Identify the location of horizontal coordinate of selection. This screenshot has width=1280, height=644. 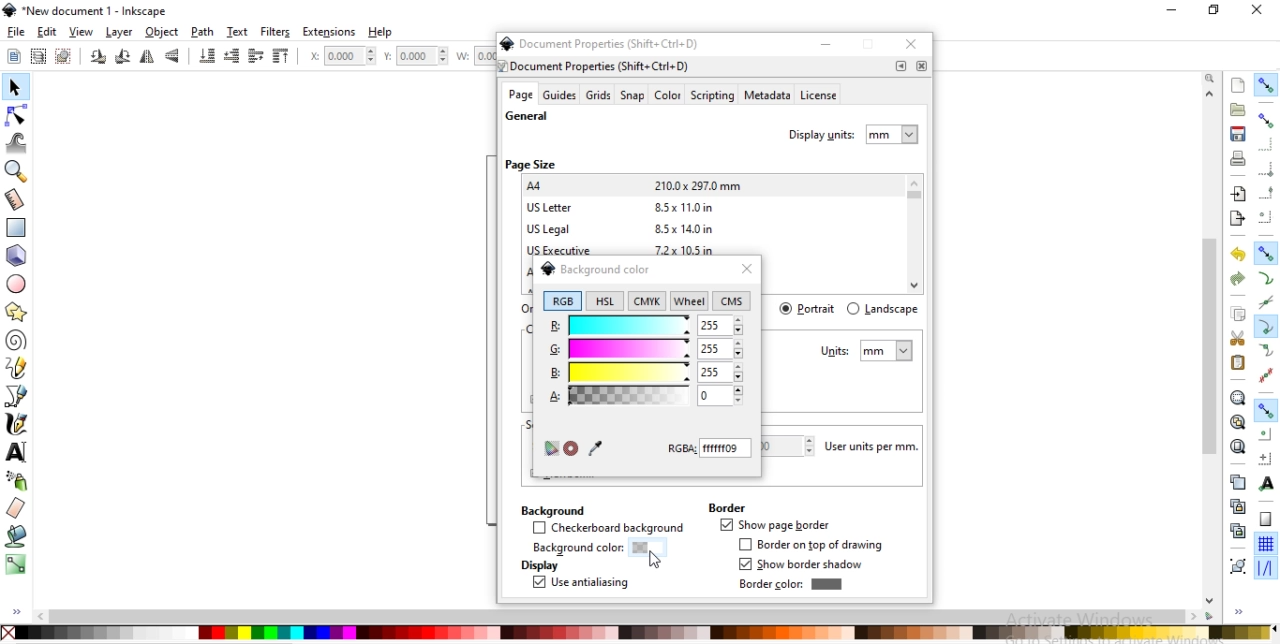
(340, 58).